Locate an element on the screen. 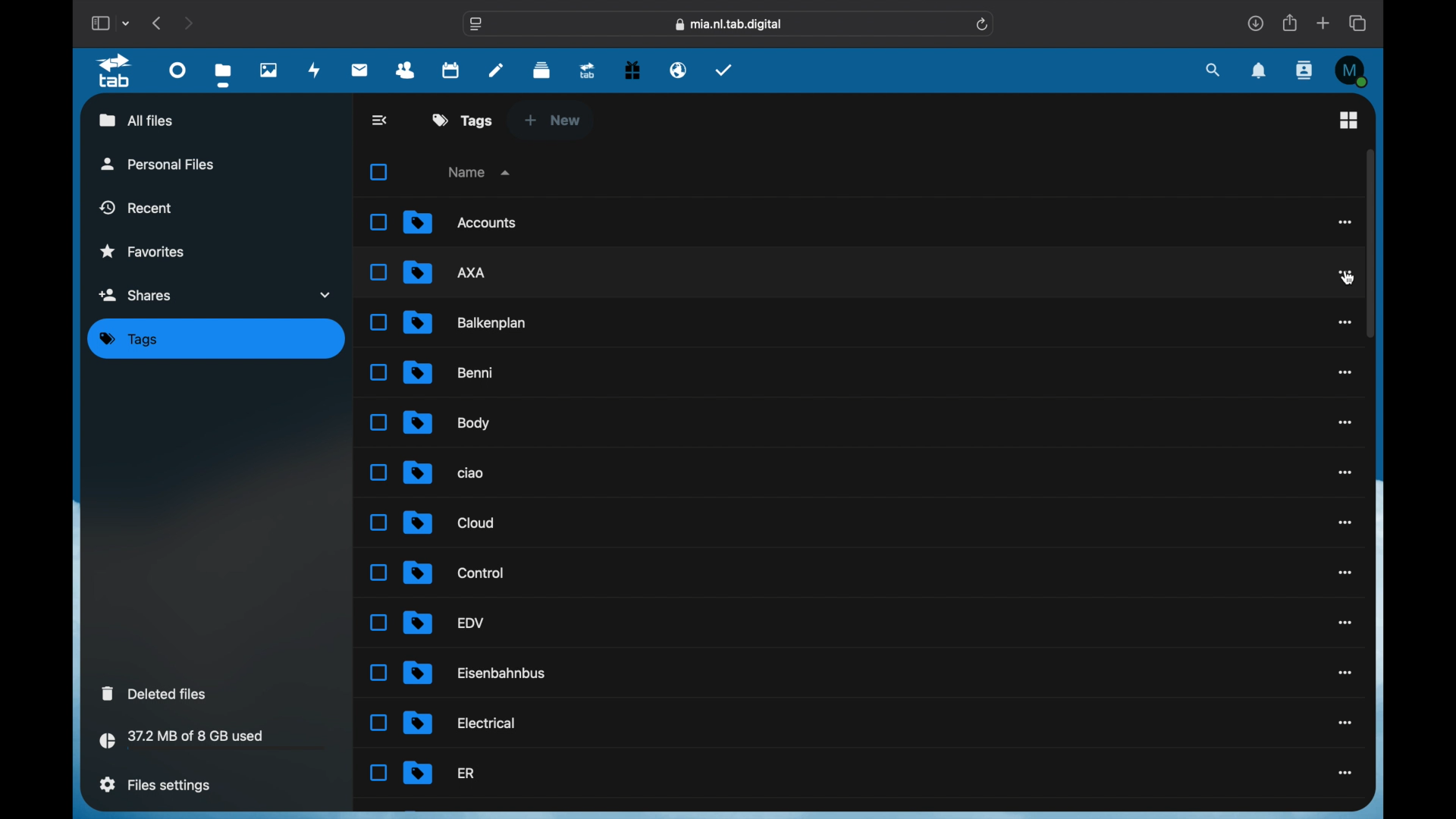  web address is located at coordinates (729, 25).